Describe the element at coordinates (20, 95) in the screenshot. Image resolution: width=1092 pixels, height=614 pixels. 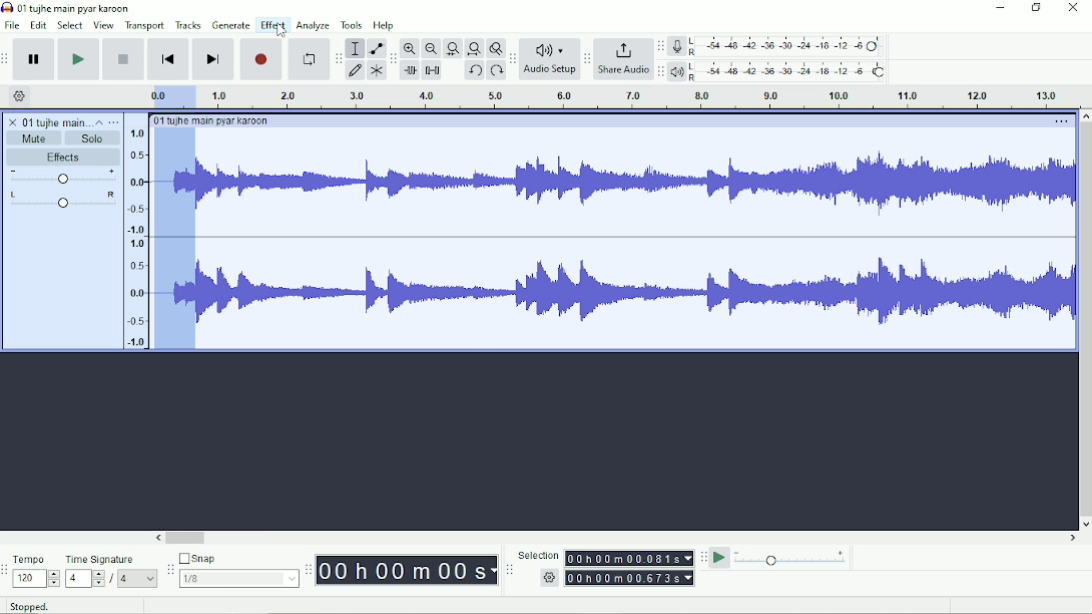
I see `Setting logo` at that location.